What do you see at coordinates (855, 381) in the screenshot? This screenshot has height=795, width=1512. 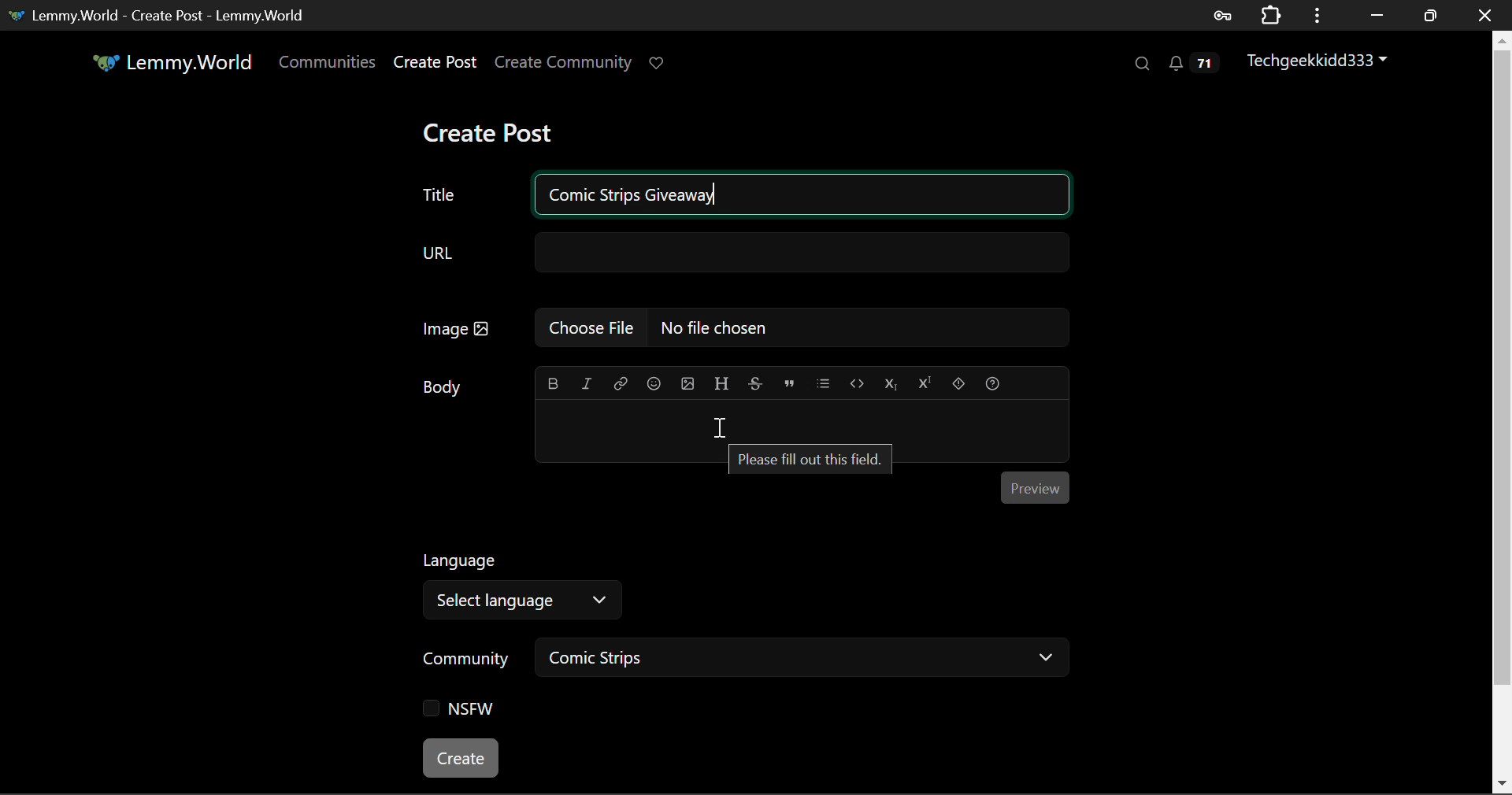 I see `code` at bounding box center [855, 381].